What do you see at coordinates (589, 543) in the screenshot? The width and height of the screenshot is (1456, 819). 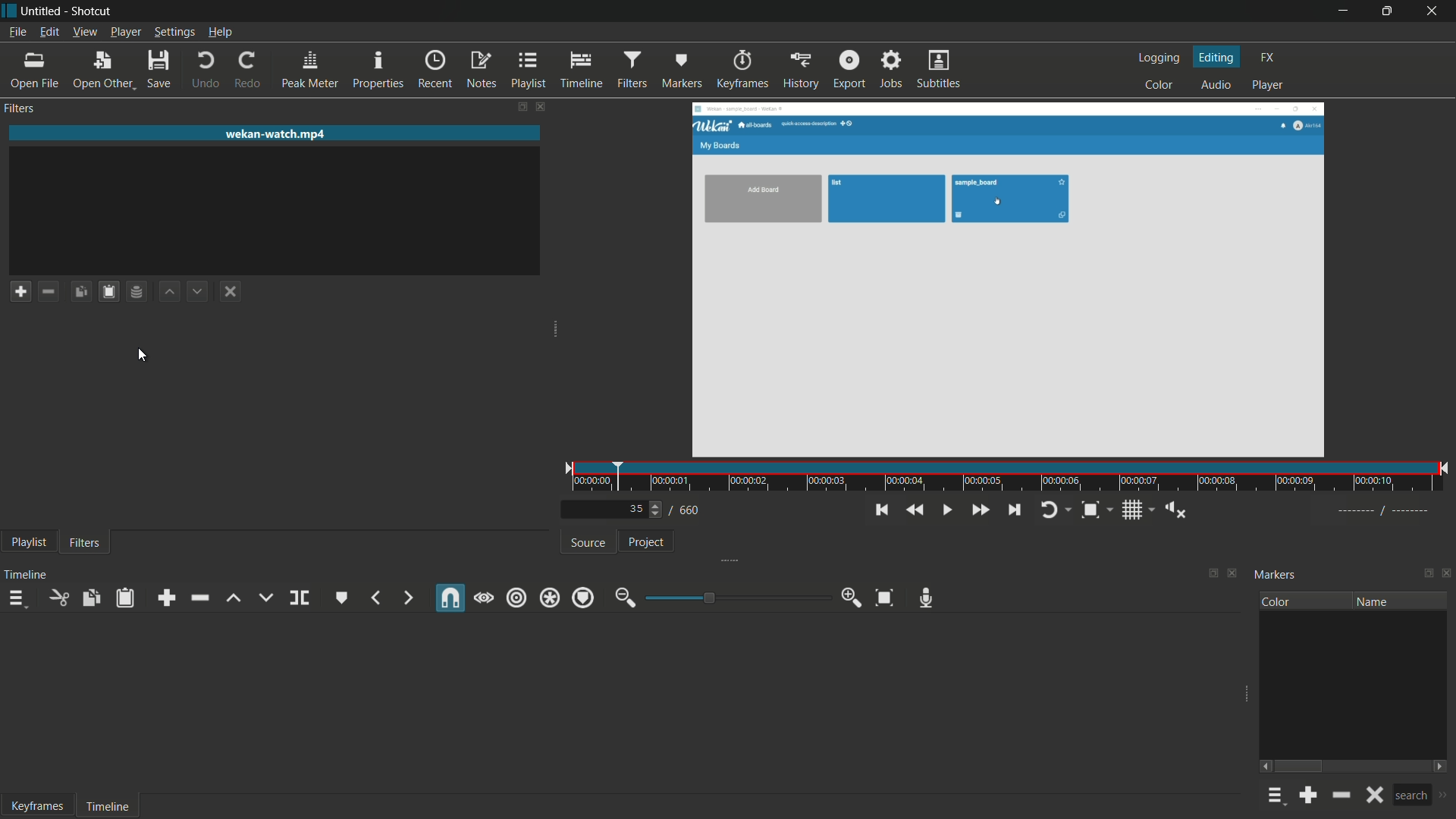 I see `source` at bounding box center [589, 543].